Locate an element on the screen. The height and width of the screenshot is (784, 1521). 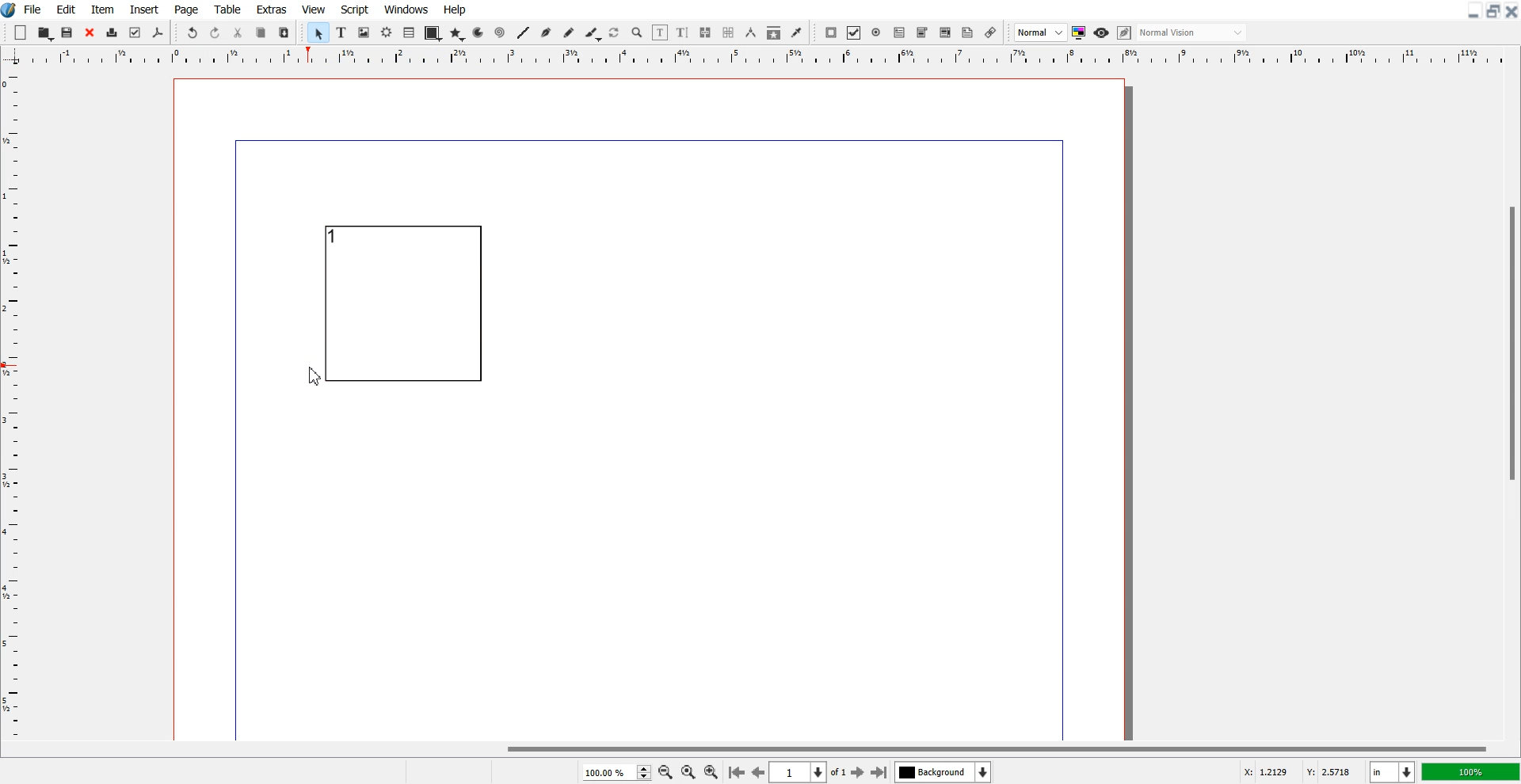
Close is located at coordinates (90, 33).